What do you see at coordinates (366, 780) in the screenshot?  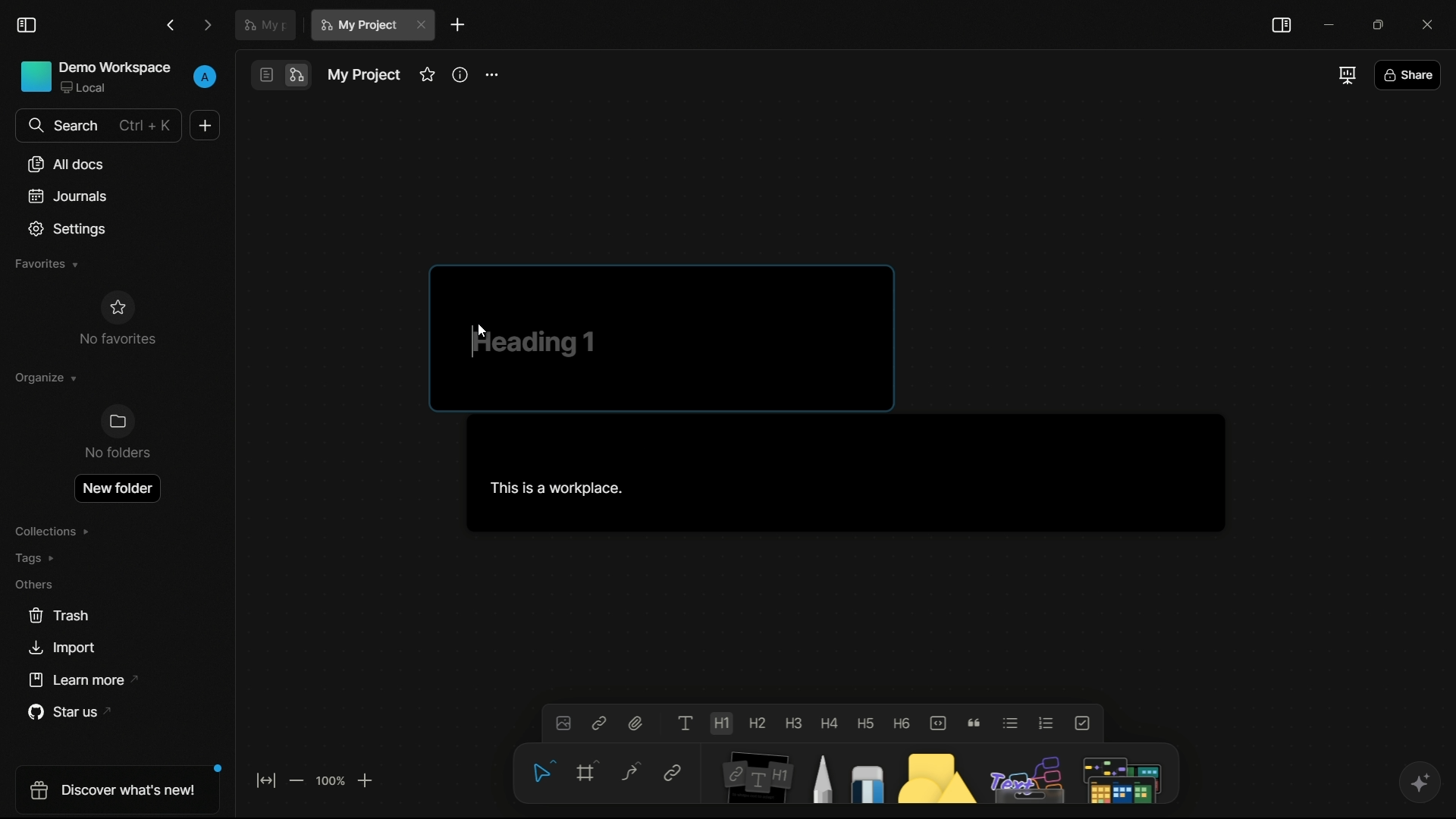 I see `zoom in` at bounding box center [366, 780].